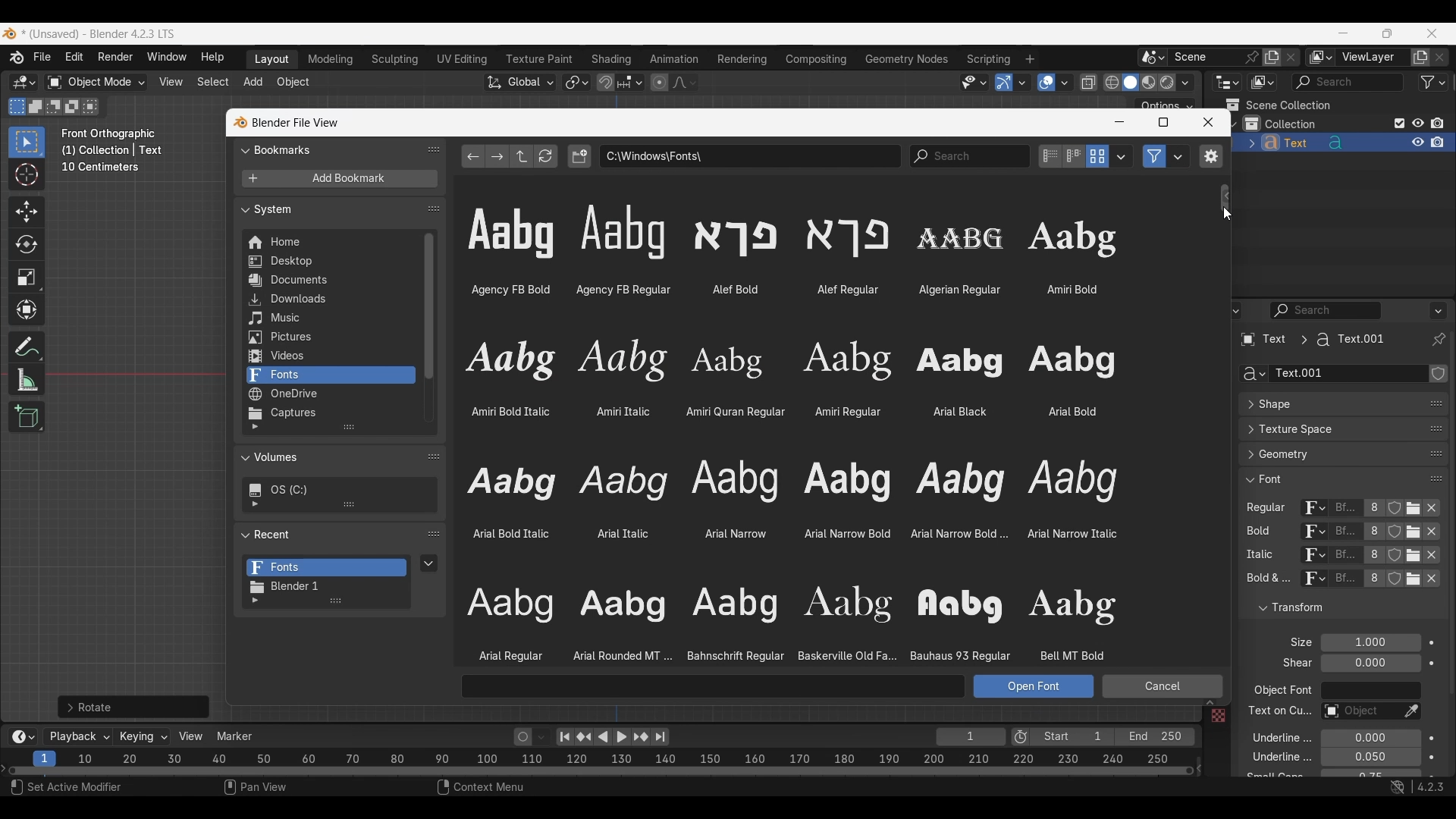  Describe the element at coordinates (541, 59) in the screenshot. I see `Texture paint workspace` at that location.